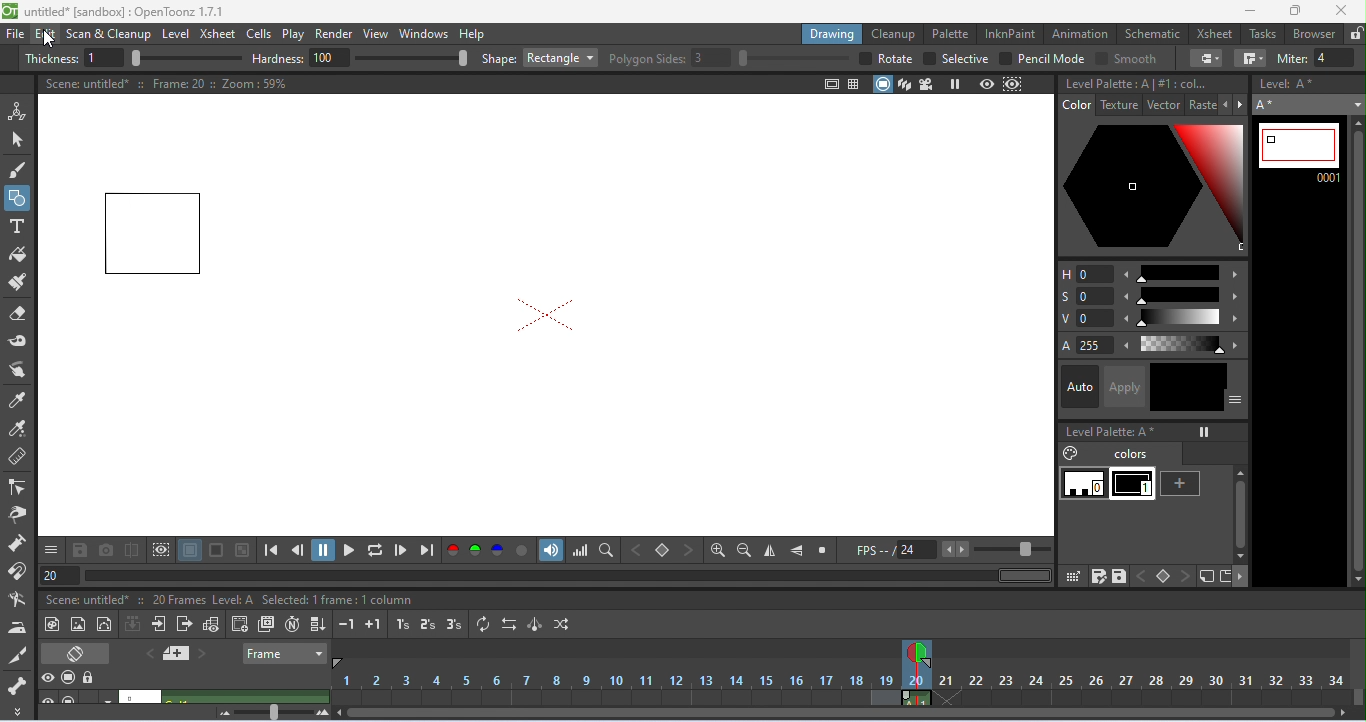 The height and width of the screenshot is (722, 1366). I want to click on rectangle, so click(562, 57).